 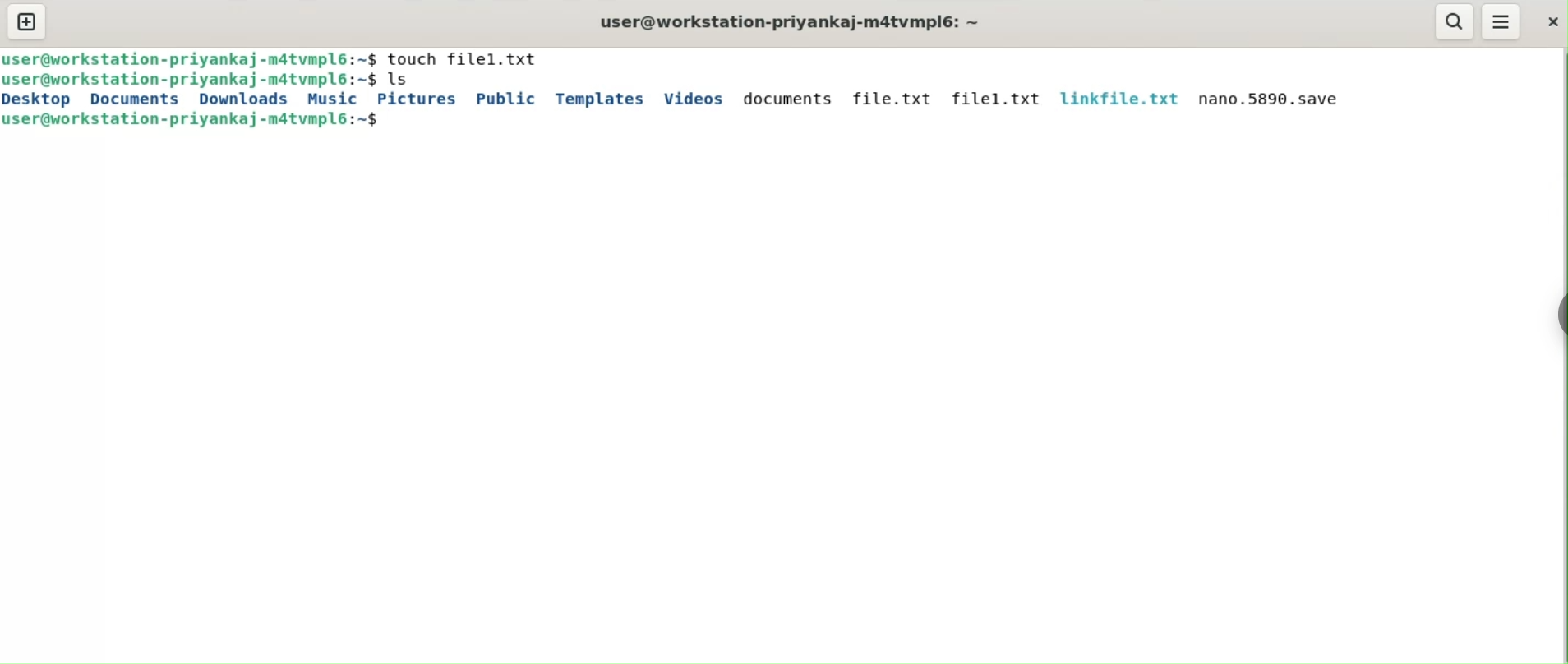 I want to click on file1.txt, so click(x=994, y=99).